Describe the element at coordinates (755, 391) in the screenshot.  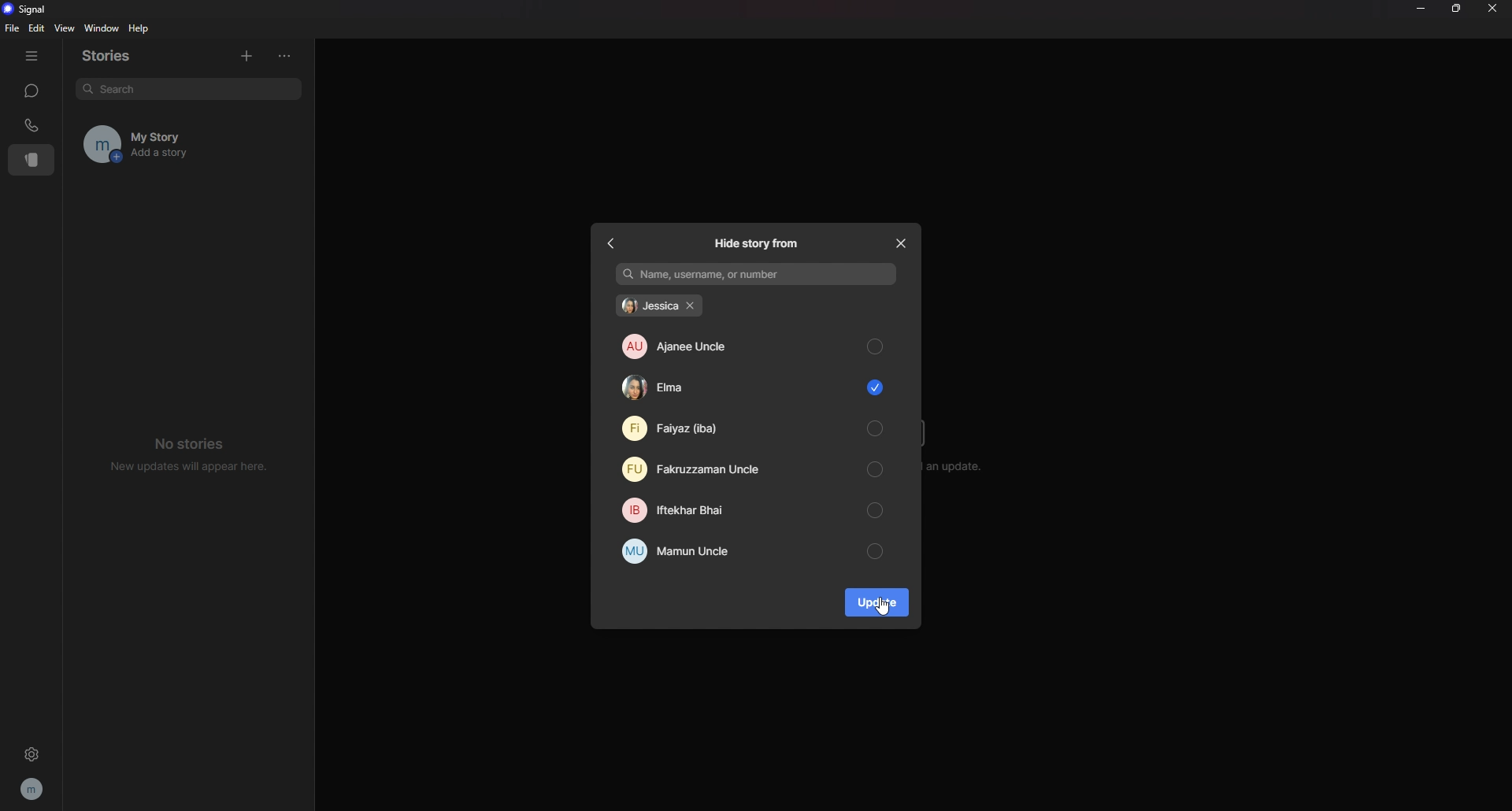
I see `elma` at that location.